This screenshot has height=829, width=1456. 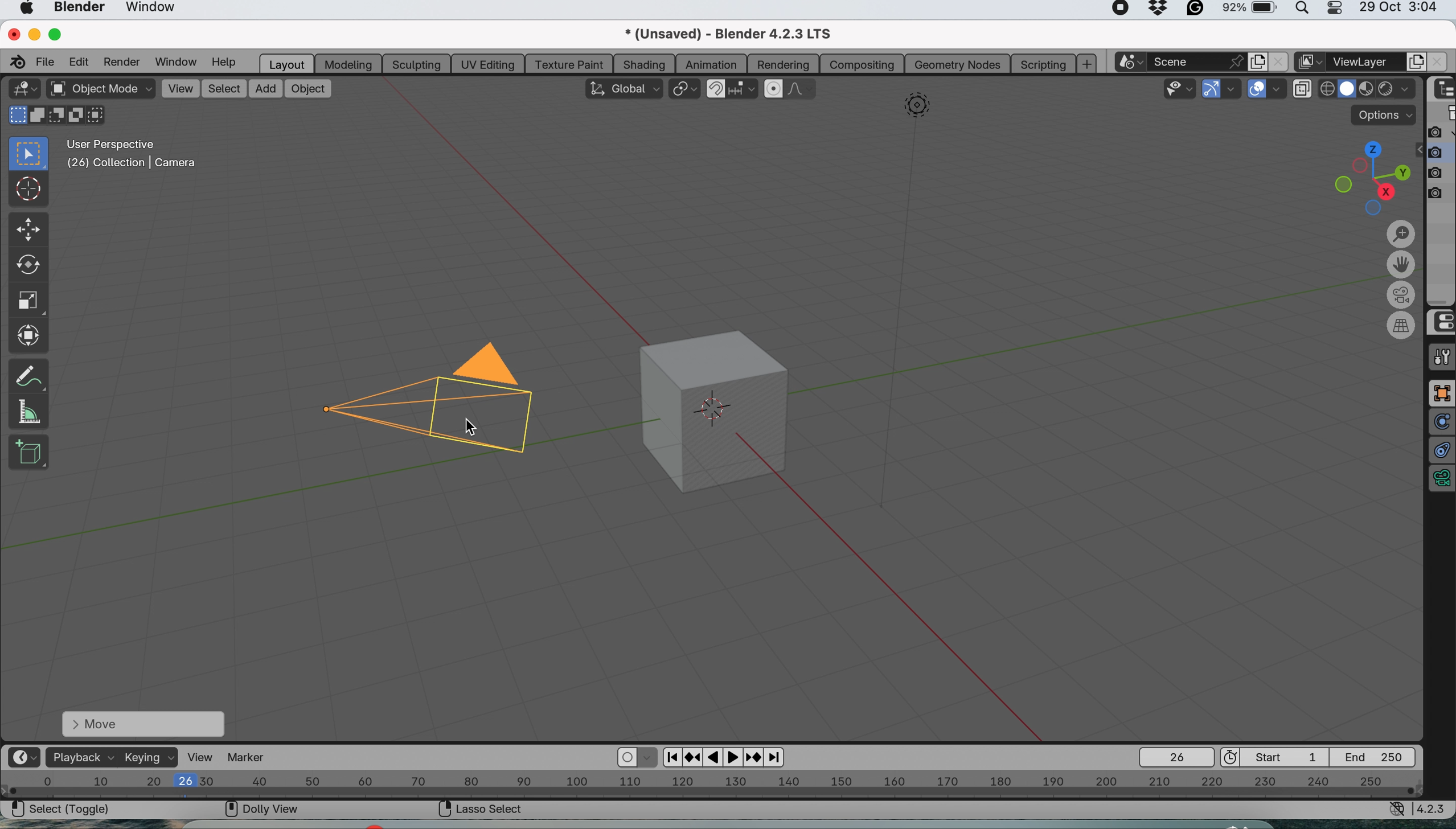 What do you see at coordinates (917, 108) in the screenshot?
I see `image shape` at bounding box center [917, 108].